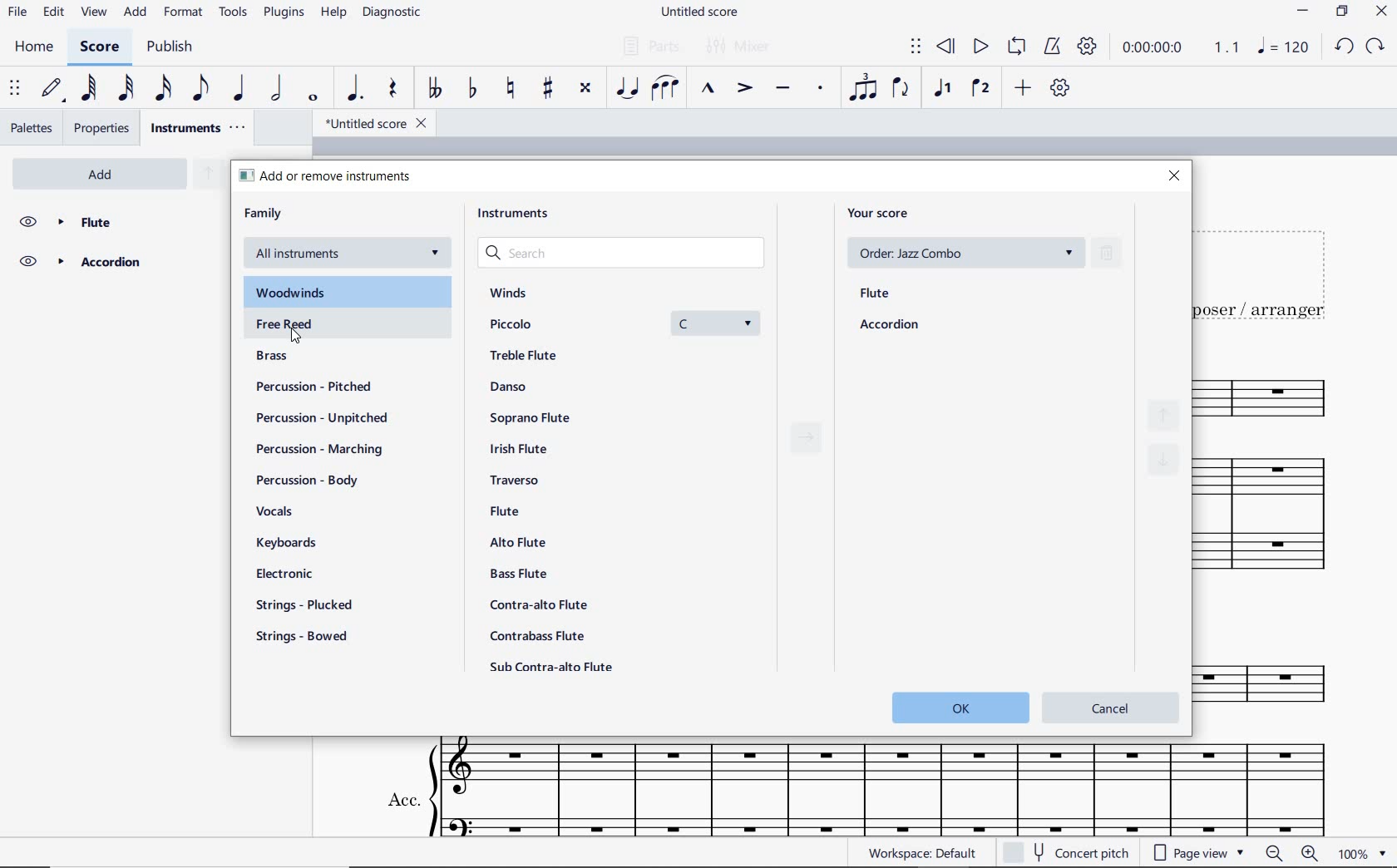 This screenshot has width=1397, height=868. Describe the element at coordinates (1199, 854) in the screenshot. I see `page view` at that location.